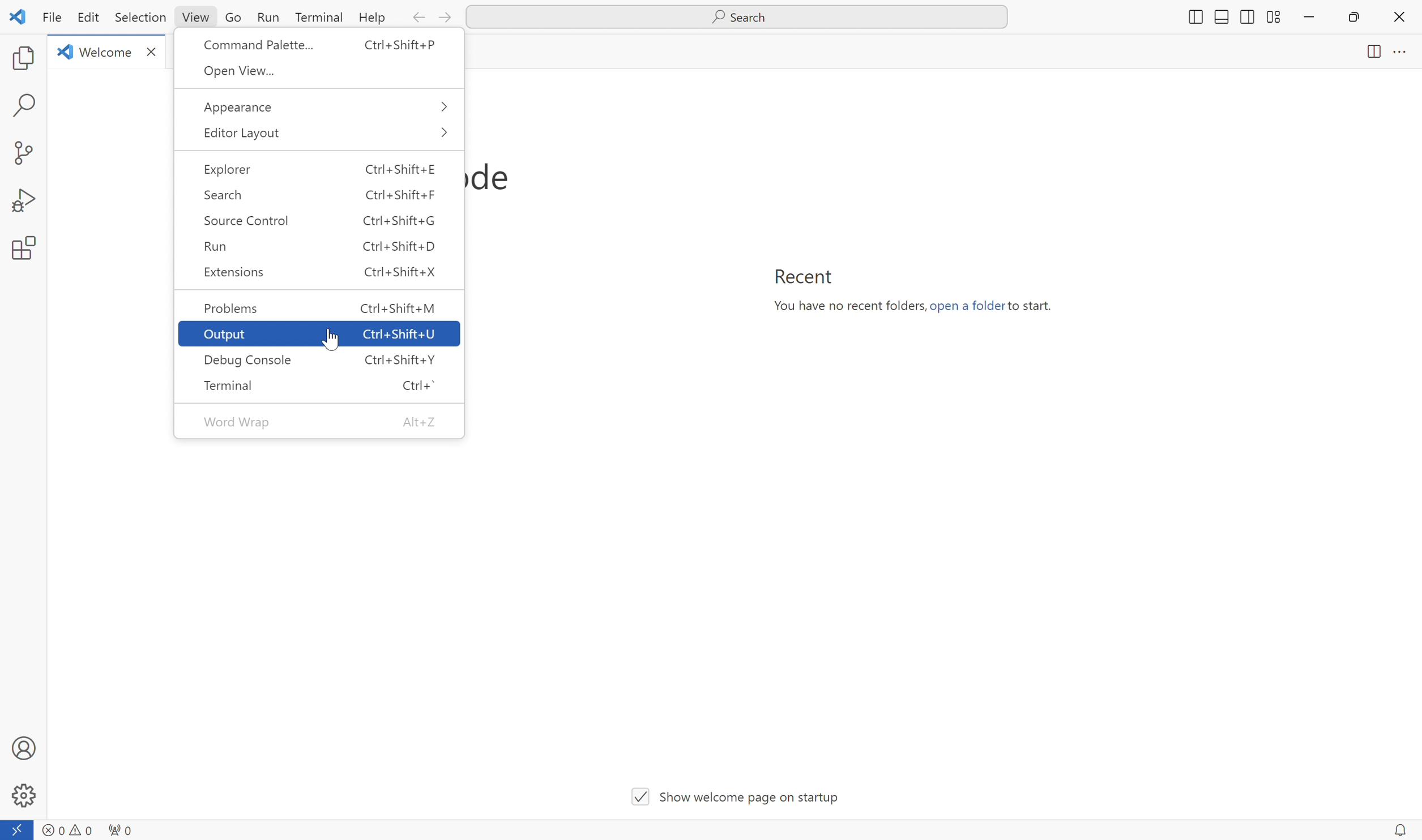 Image resolution: width=1422 pixels, height=840 pixels. What do you see at coordinates (420, 19) in the screenshot?
I see `back` at bounding box center [420, 19].